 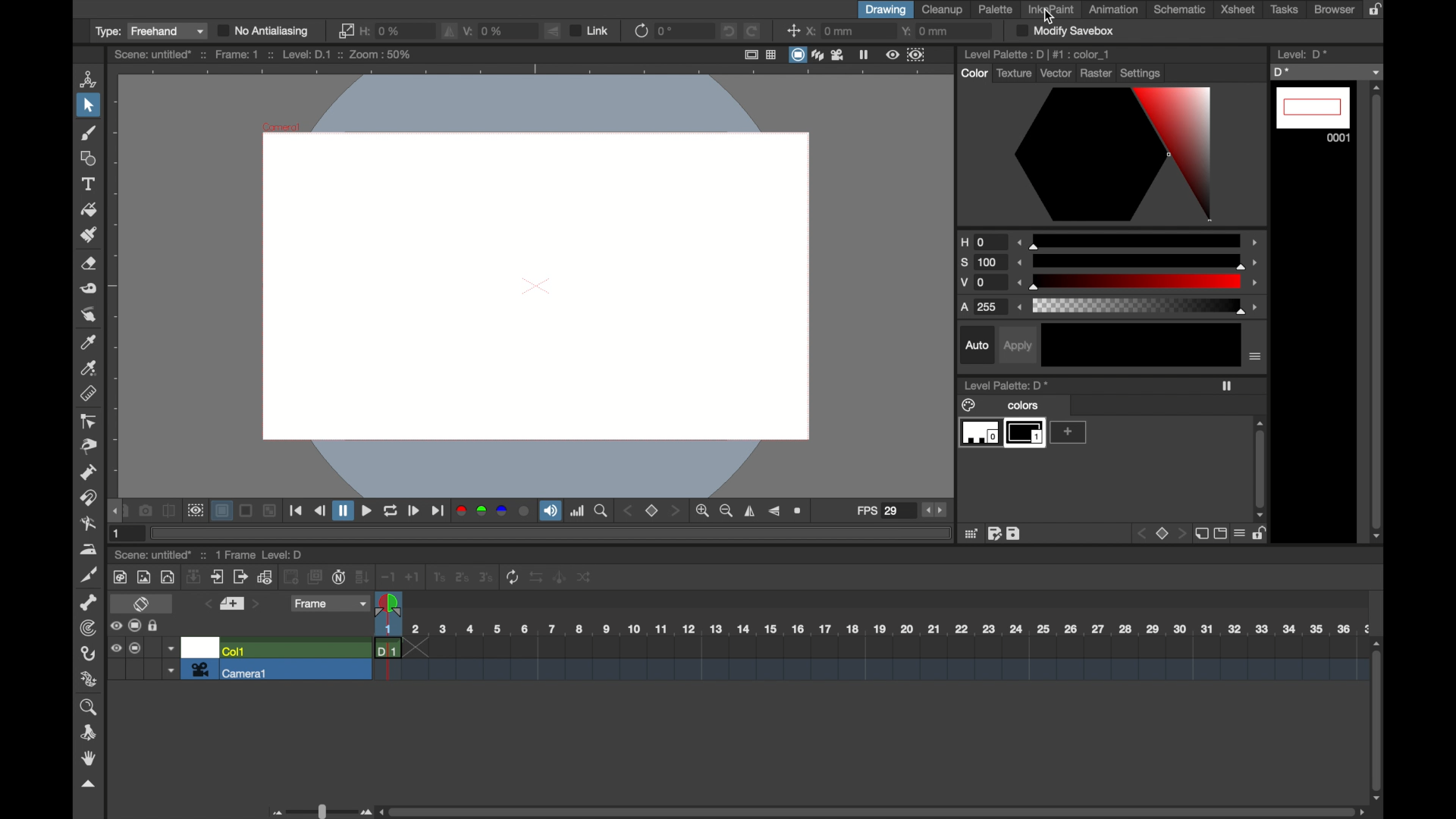 I want to click on paint brush tool, so click(x=88, y=235).